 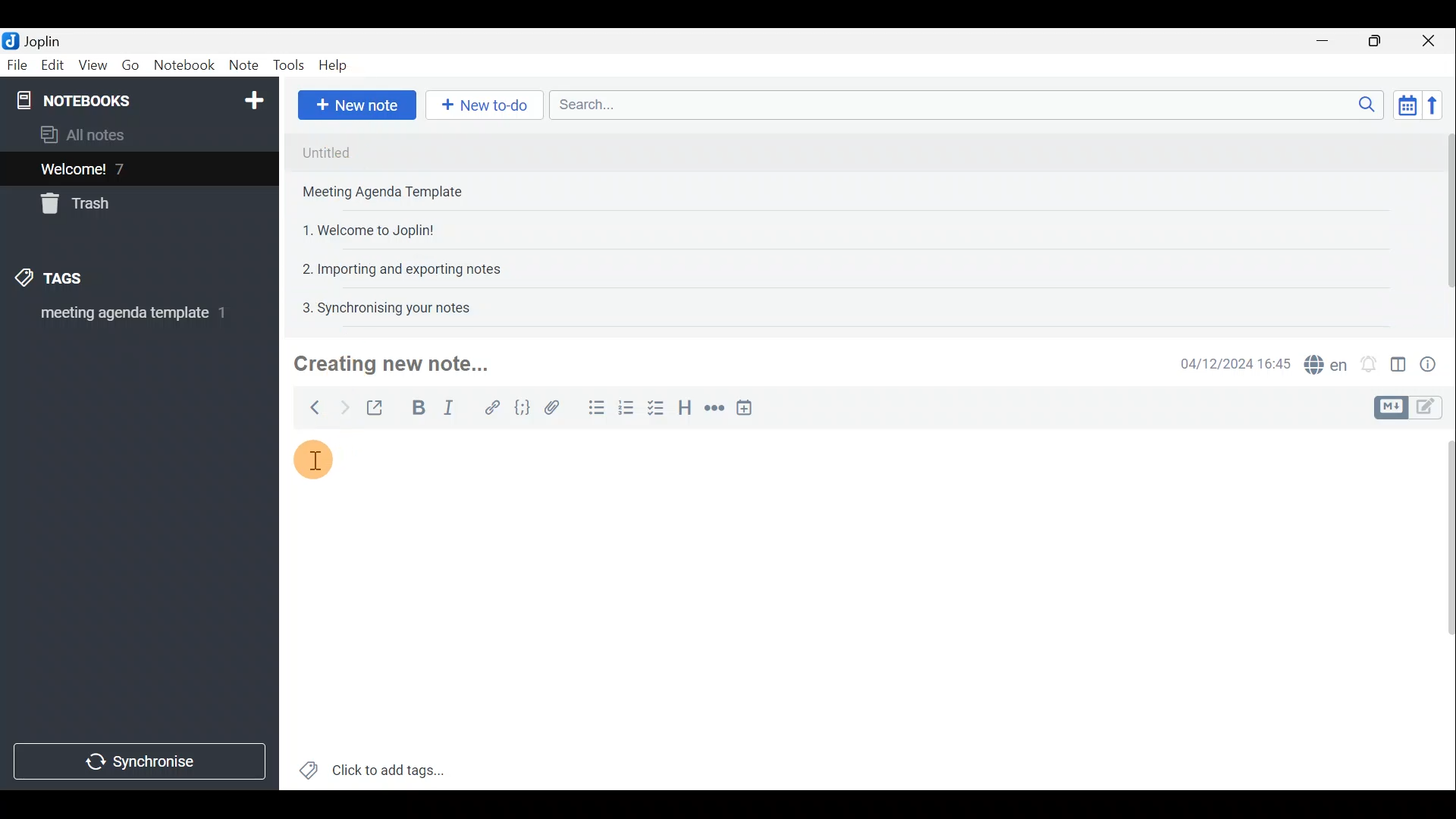 What do you see at coordinates (356, 103) in the screenshot?
I see `New note` at bounding box center [356, 103].